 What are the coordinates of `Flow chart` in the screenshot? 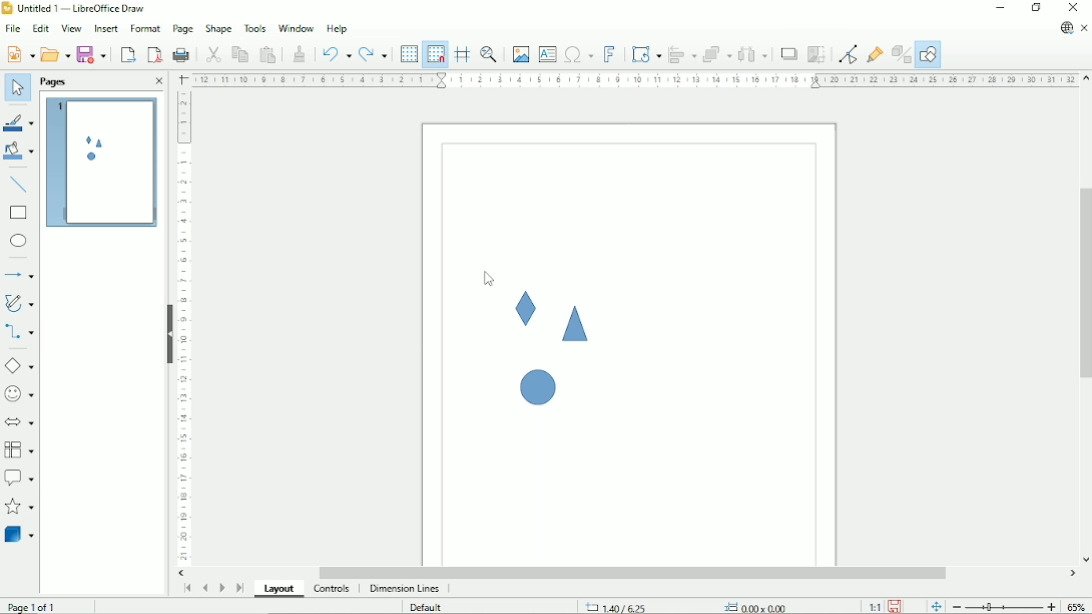 It's located at (19, 450).